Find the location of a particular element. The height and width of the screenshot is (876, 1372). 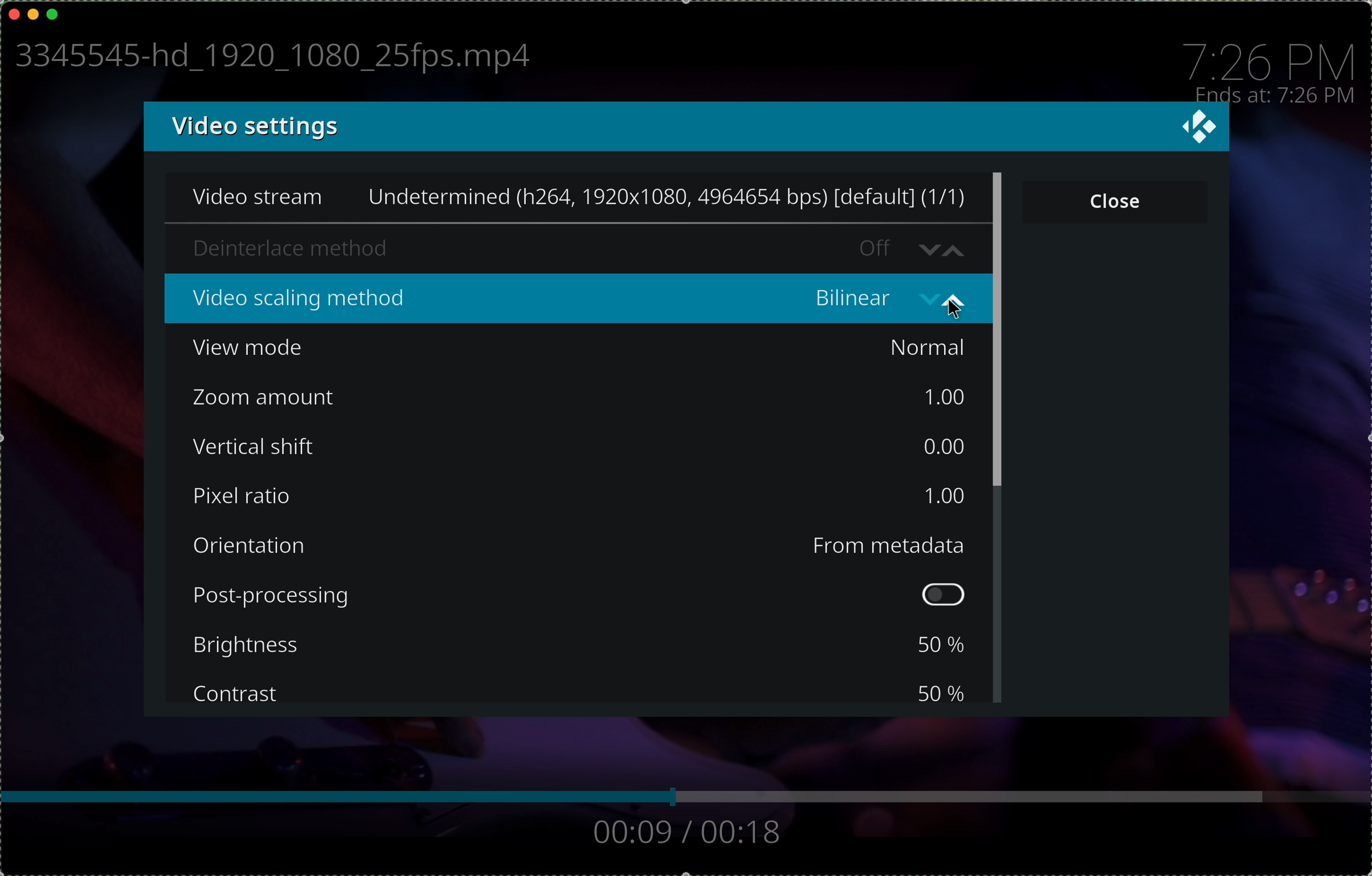

zoom amount is located at coordinates (264, 398).